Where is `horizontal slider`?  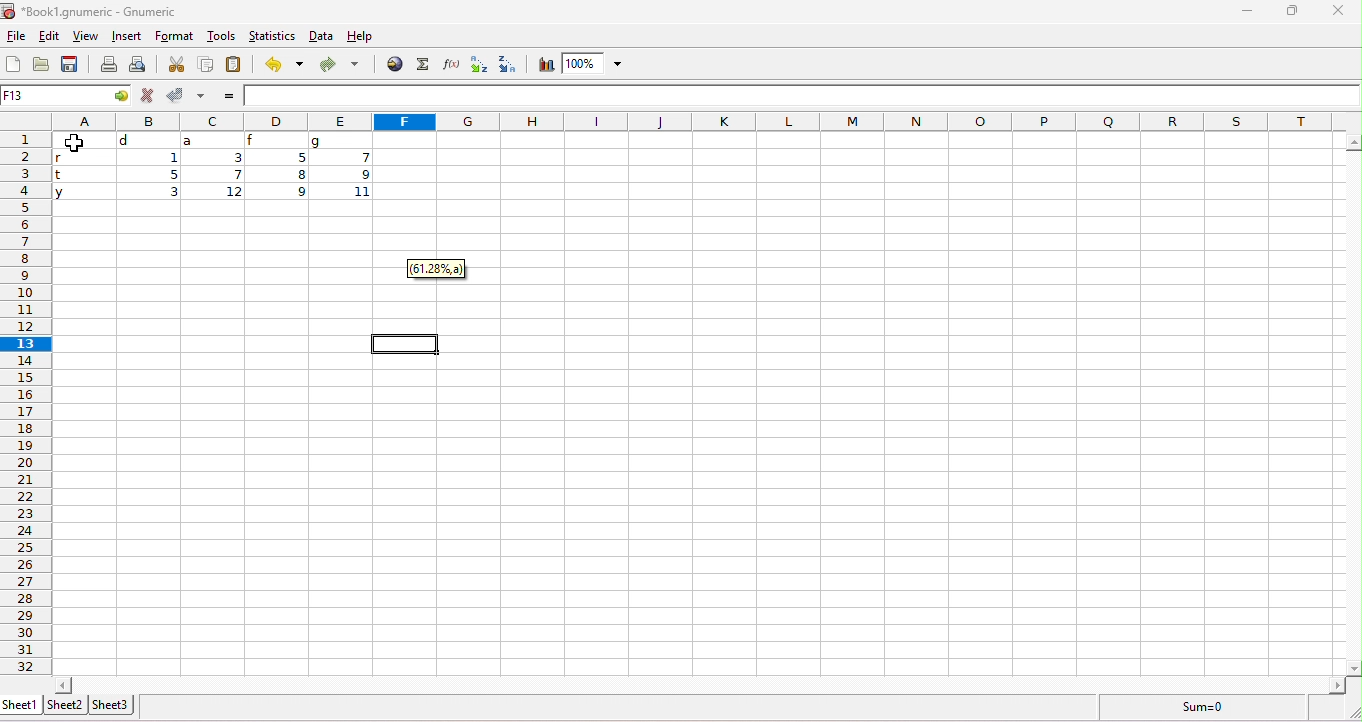 horizontal slider is located at coordinates (699, 685).